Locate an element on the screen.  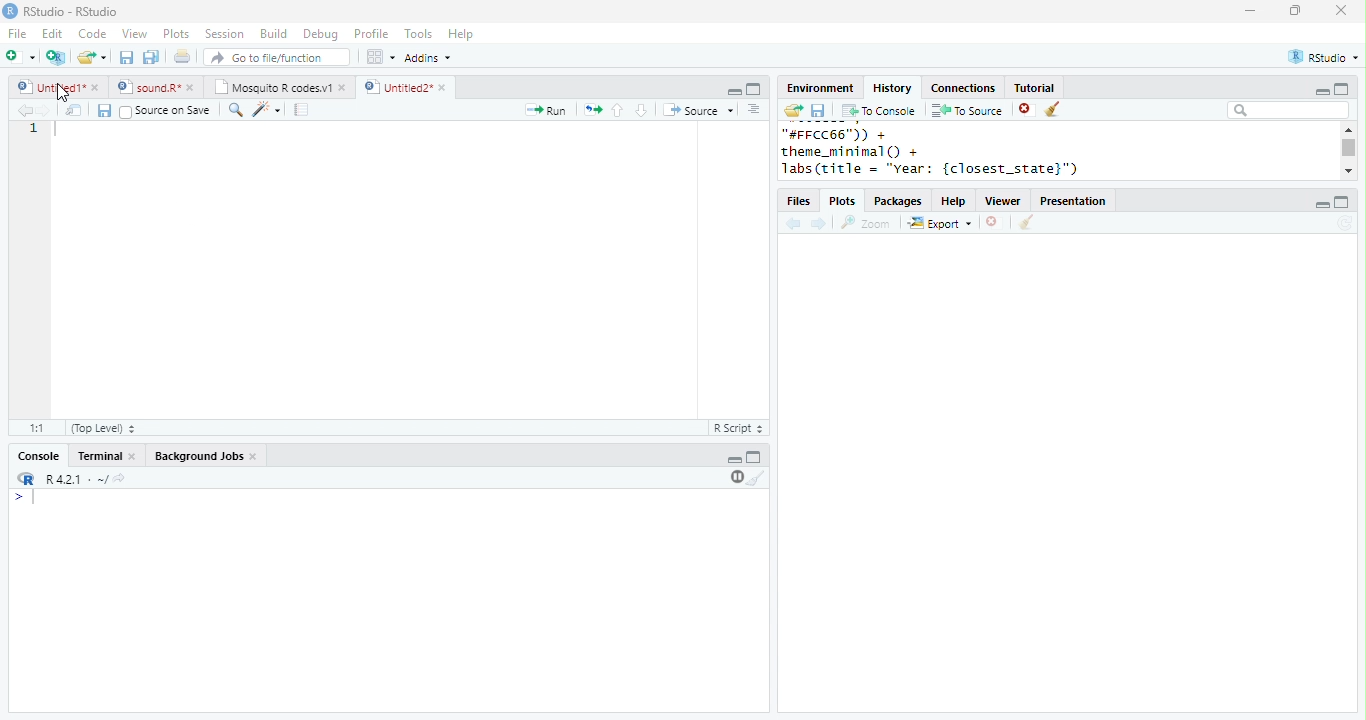
Help is located at coordinates (460, 33).